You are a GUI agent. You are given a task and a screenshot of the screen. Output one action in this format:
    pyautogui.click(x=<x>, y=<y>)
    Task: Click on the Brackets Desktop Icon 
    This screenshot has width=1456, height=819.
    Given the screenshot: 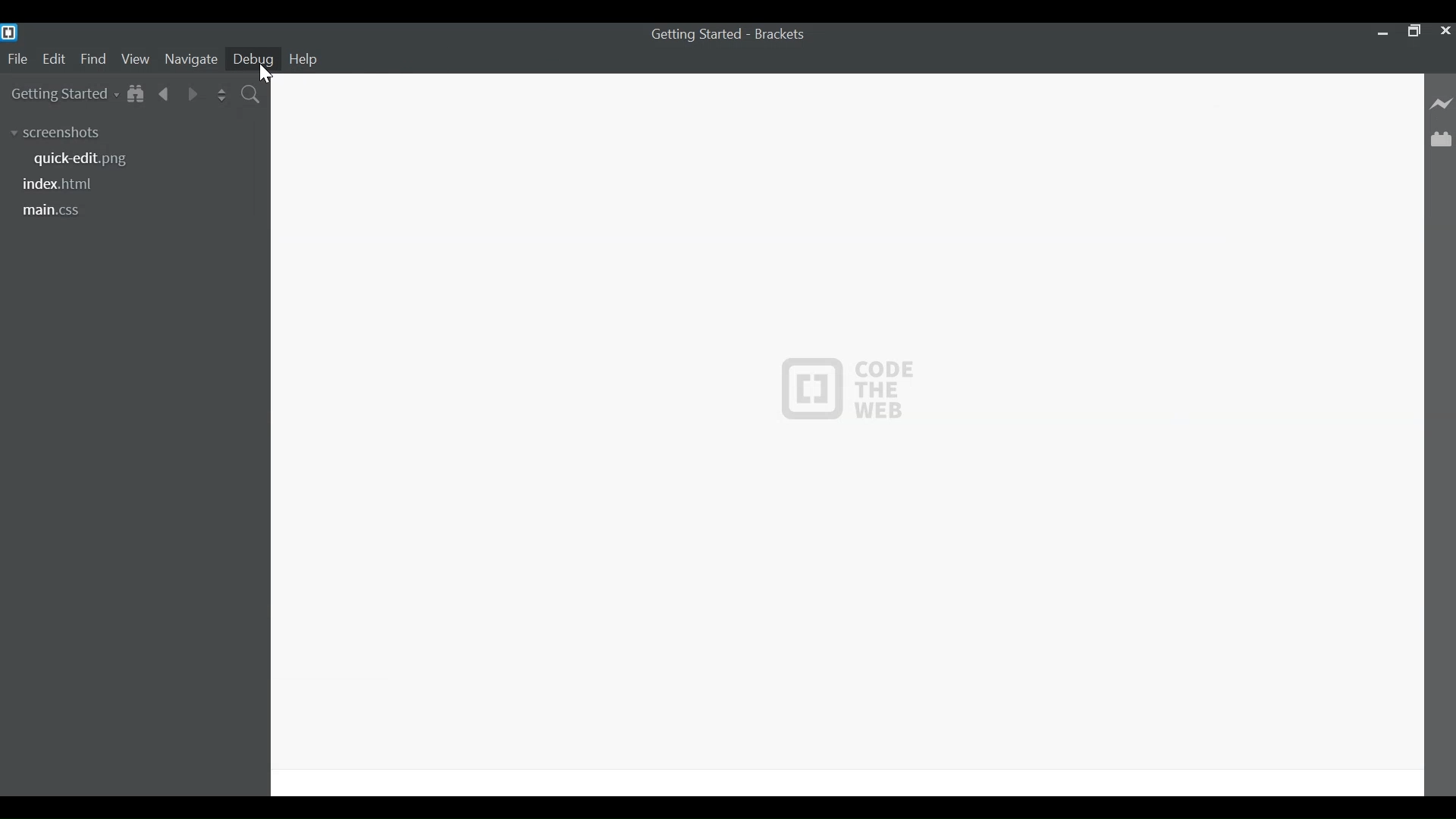 What is the action you would take?
    pyautogui.click(x=9, y=32)
    